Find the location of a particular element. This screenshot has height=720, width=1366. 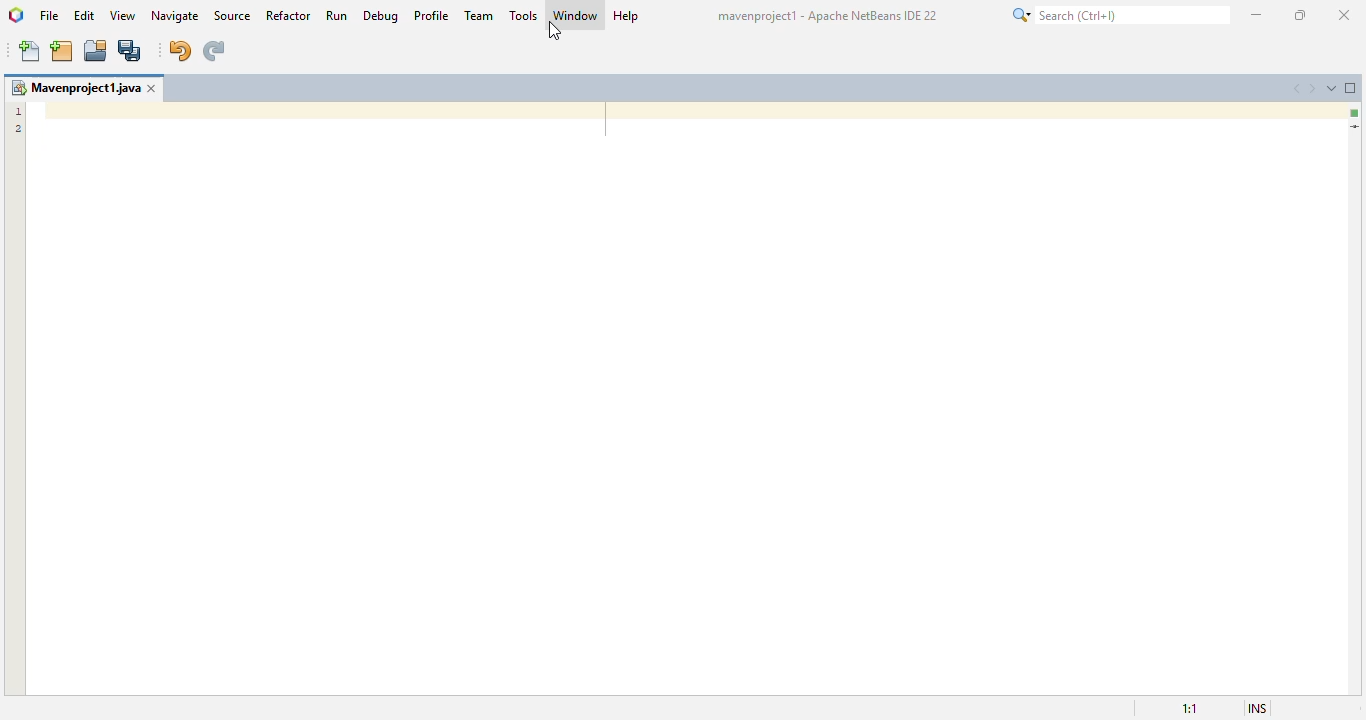

source is located at coordinates (232, 15).